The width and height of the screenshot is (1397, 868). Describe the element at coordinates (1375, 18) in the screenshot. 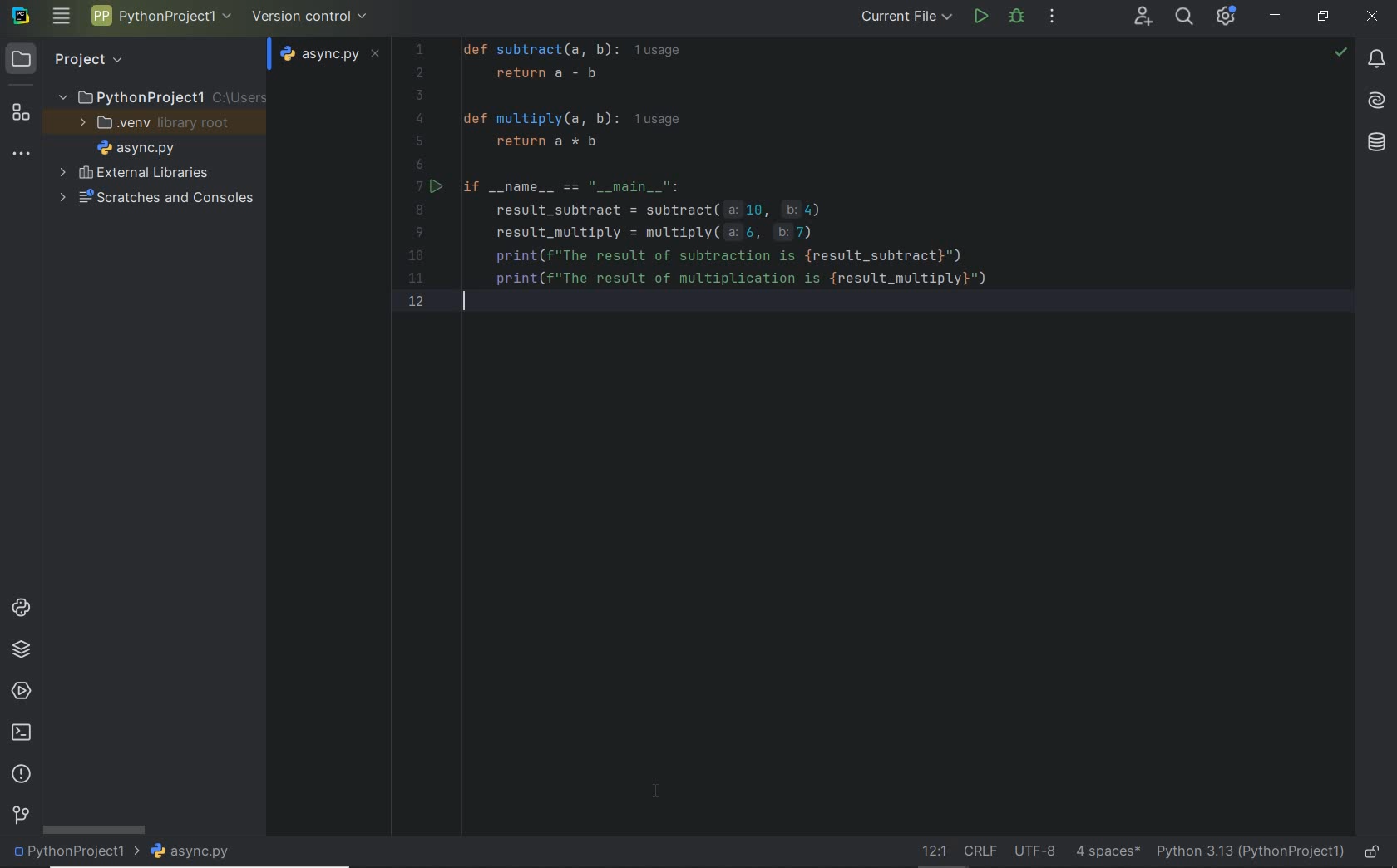

I see `close` at that location.